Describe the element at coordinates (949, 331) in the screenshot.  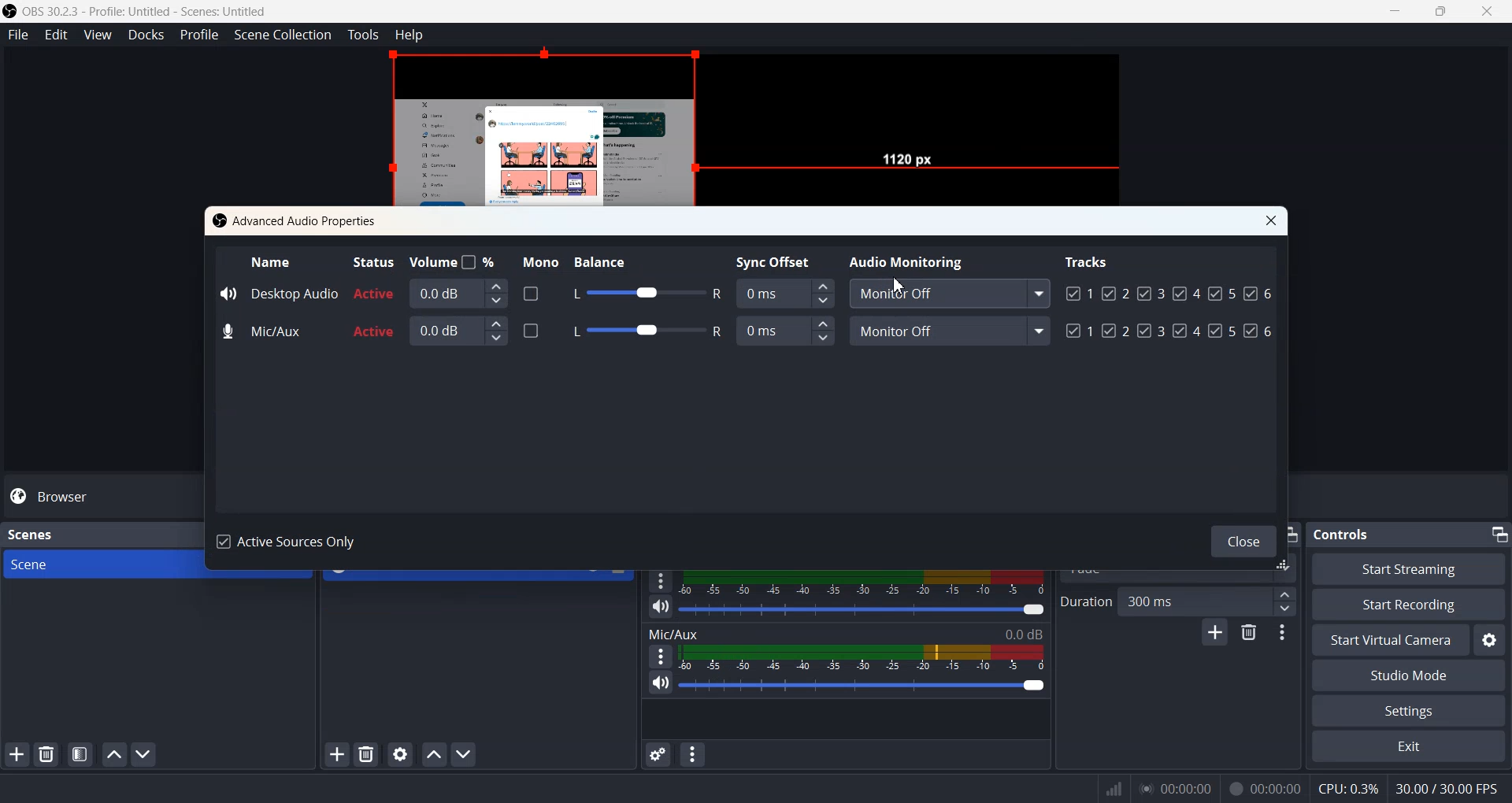
I see `Monitor off` at that location.